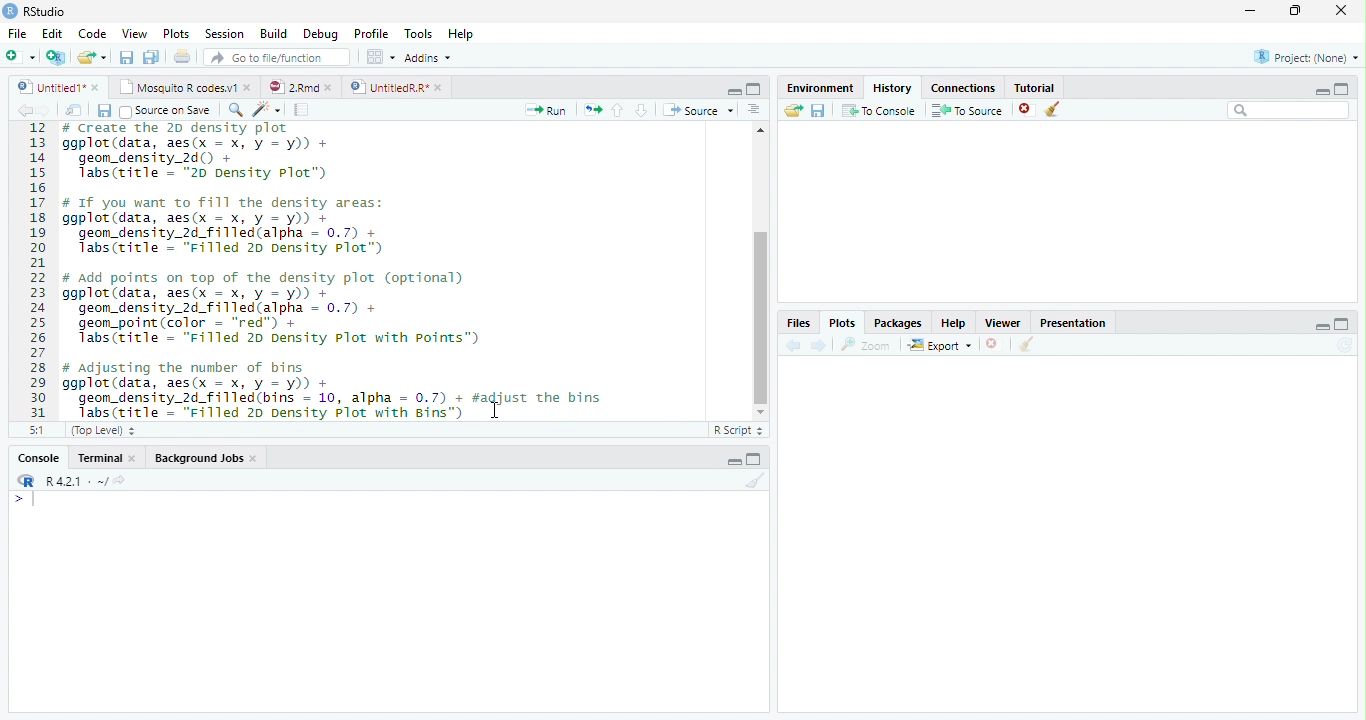  What do you see at coordinates (273, 33) in the screenshot?
I see `Build` at bounding box center [273, 33].